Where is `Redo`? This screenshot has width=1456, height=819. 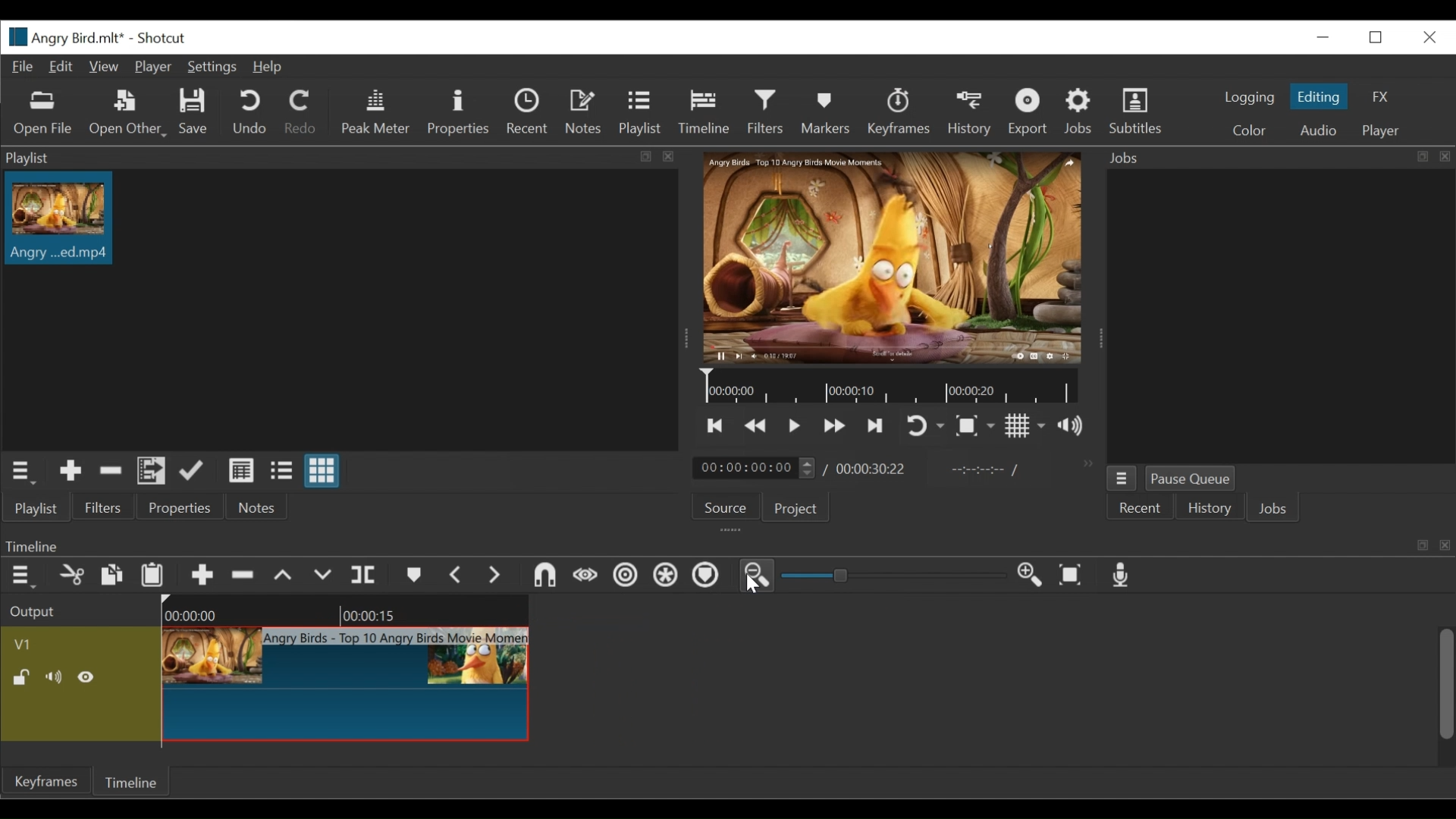 Redo is located at coordinates (301, 112).